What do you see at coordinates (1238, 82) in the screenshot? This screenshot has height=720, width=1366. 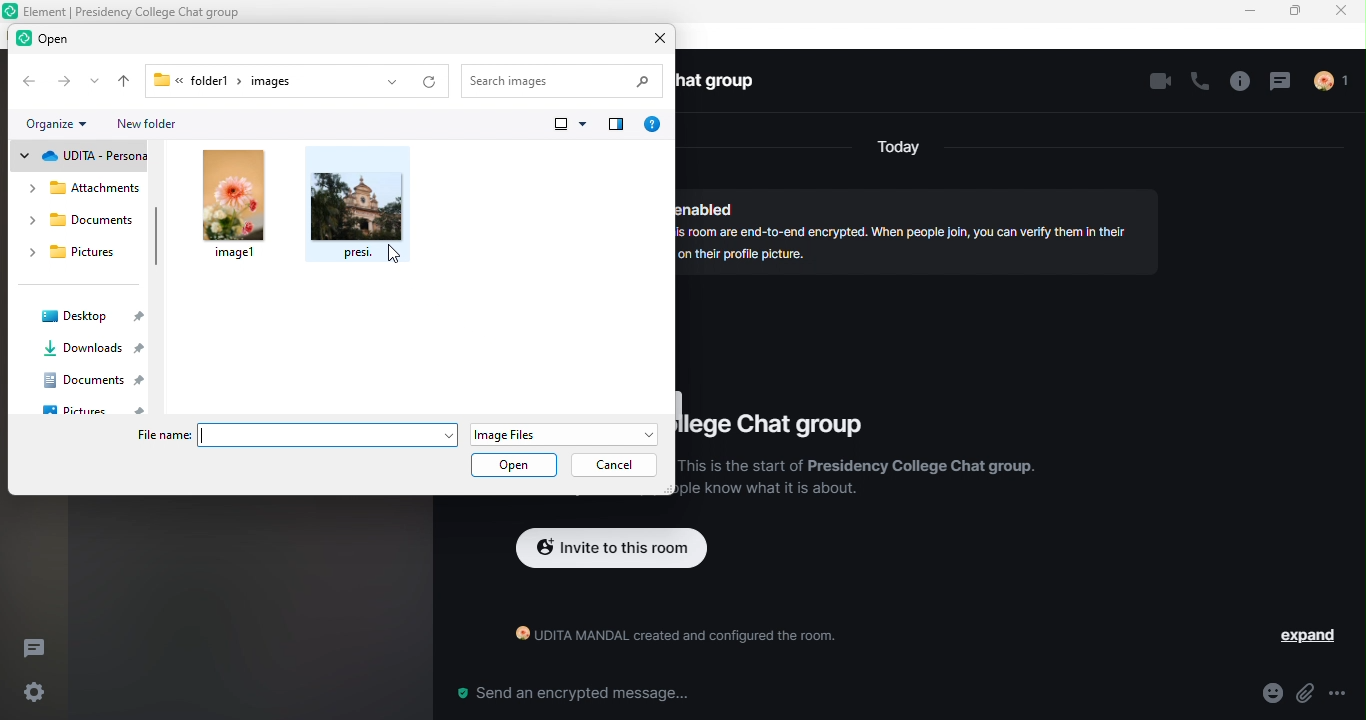 I see `info` at bounding box center [1238, 82].